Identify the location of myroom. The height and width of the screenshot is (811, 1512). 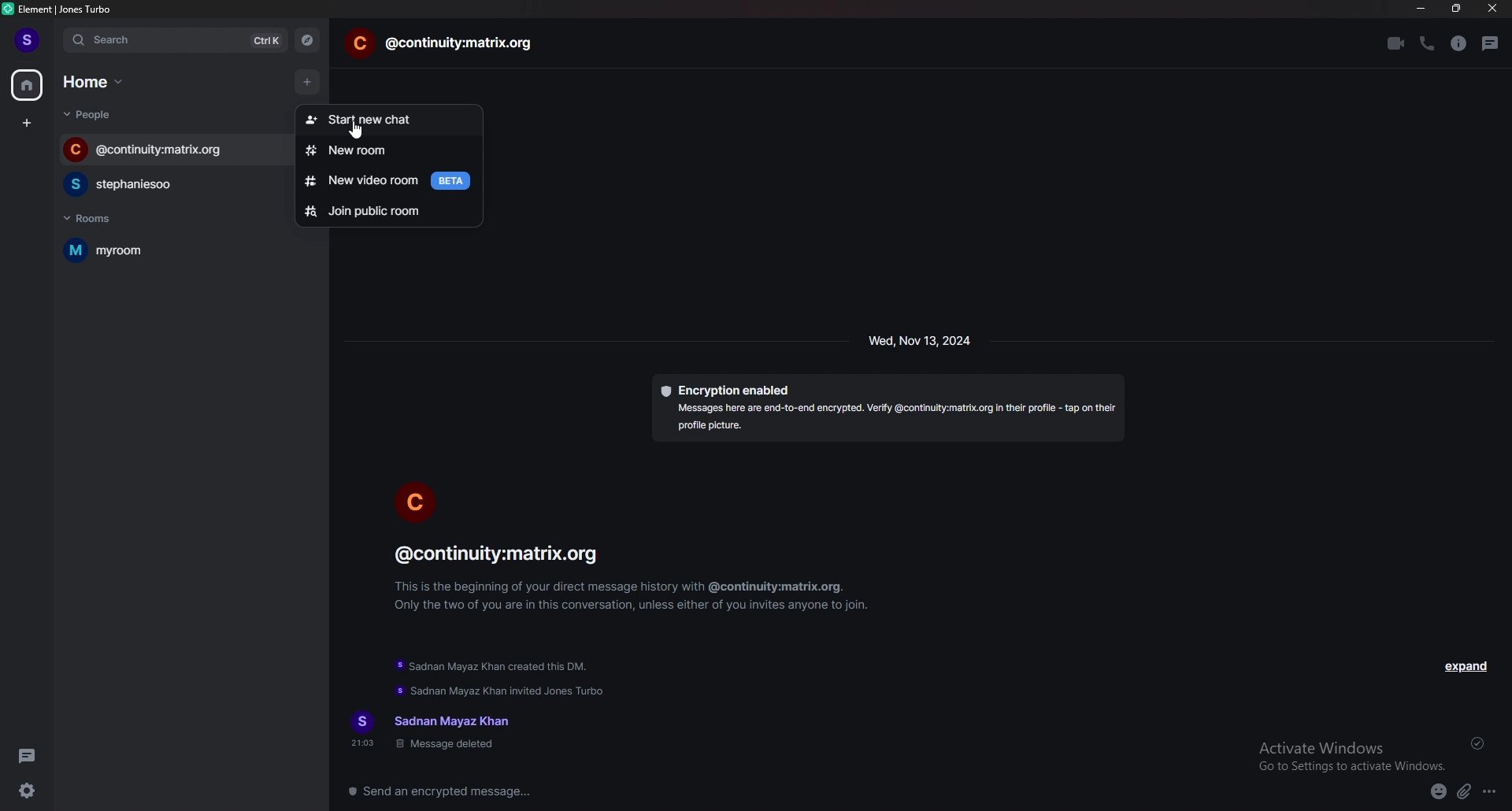
(153, 250).